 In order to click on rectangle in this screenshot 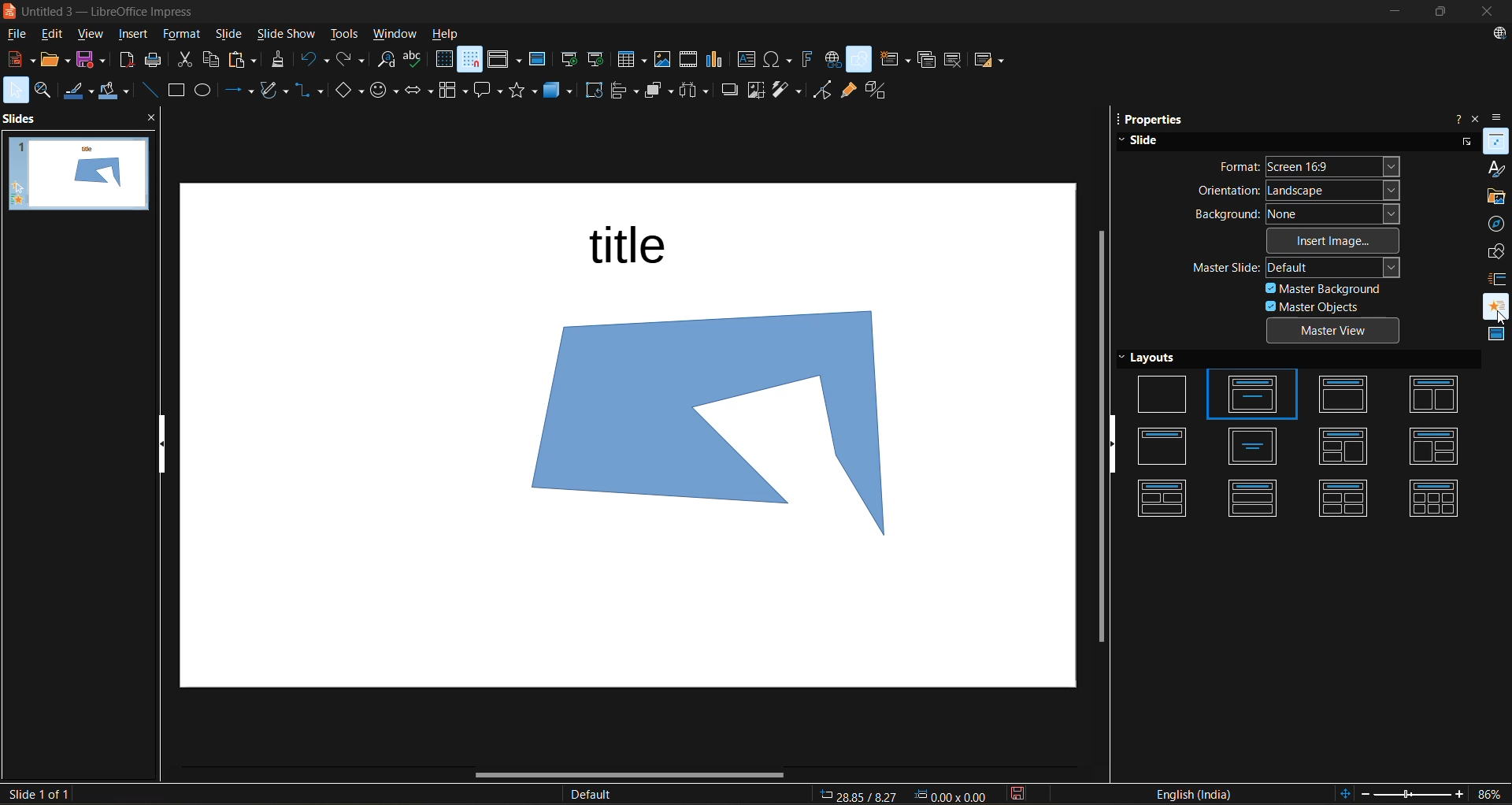, I will do `click(175, 90)`.